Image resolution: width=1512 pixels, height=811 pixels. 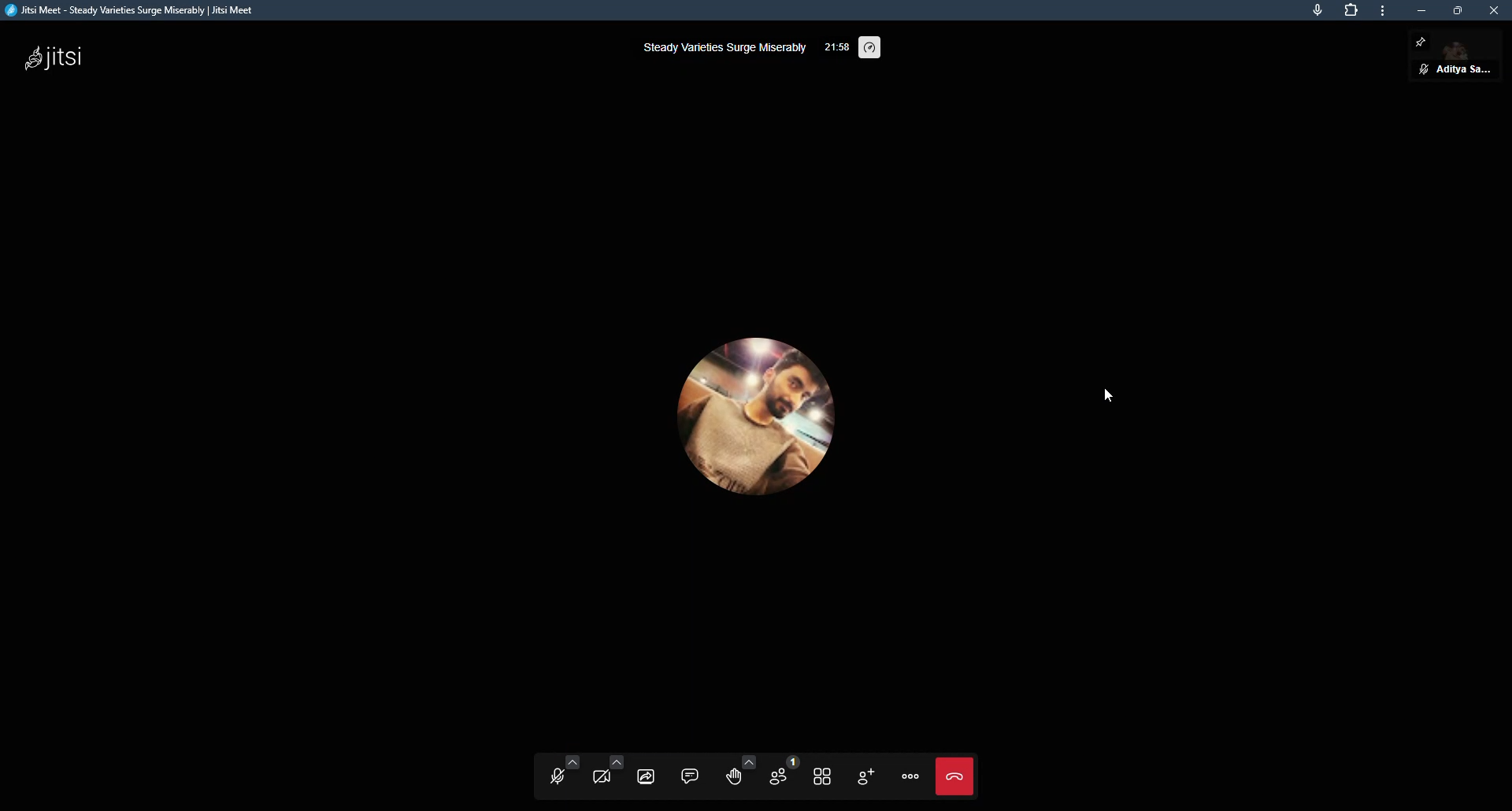 What do you see at coordinates (865, 776) in the screenshot?
I see `invite people` at bounding box center [865, 776].